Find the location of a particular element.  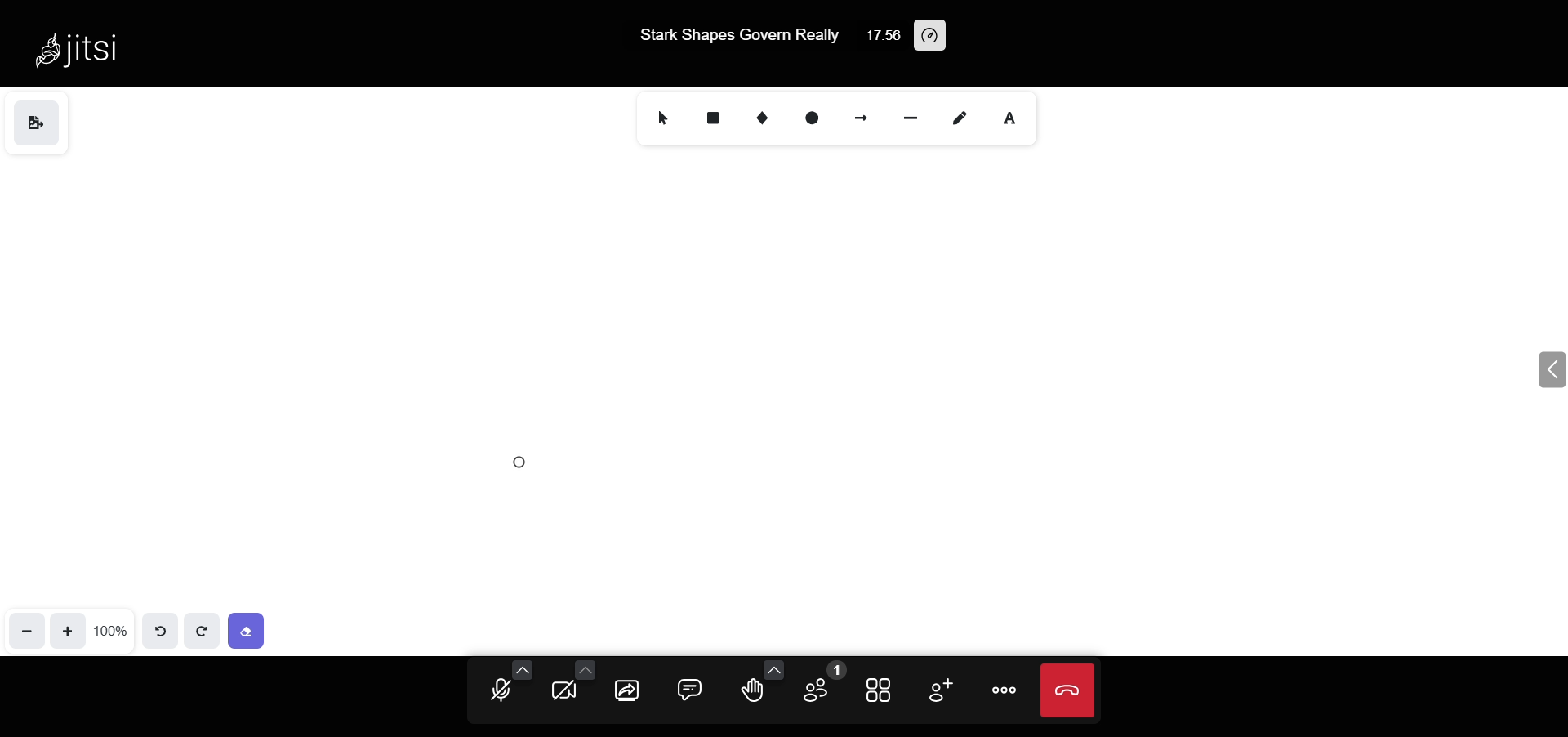

performance setting is located at coordinates (942, 37).